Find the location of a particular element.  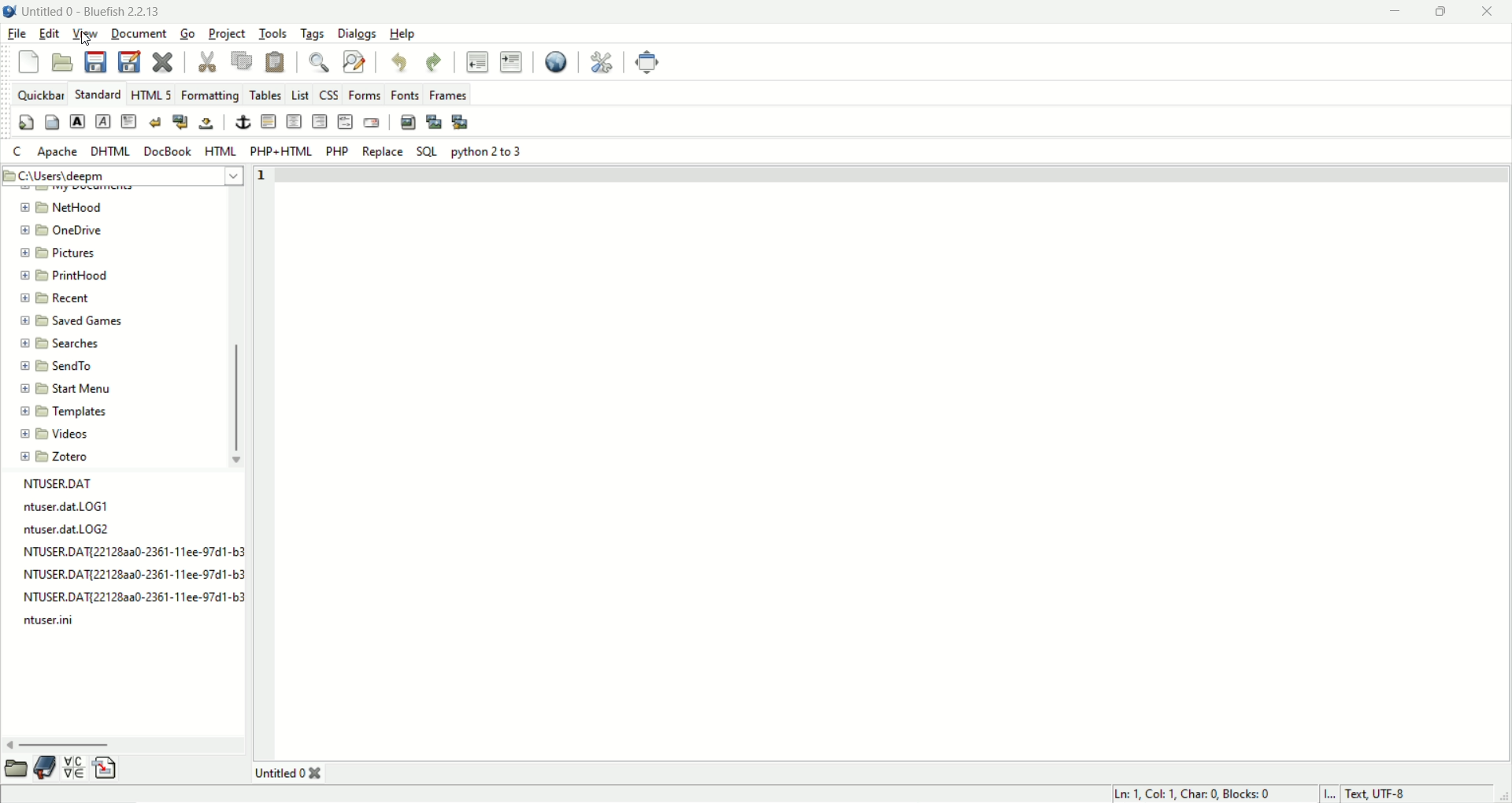

location is located at coordinates (124, 176).